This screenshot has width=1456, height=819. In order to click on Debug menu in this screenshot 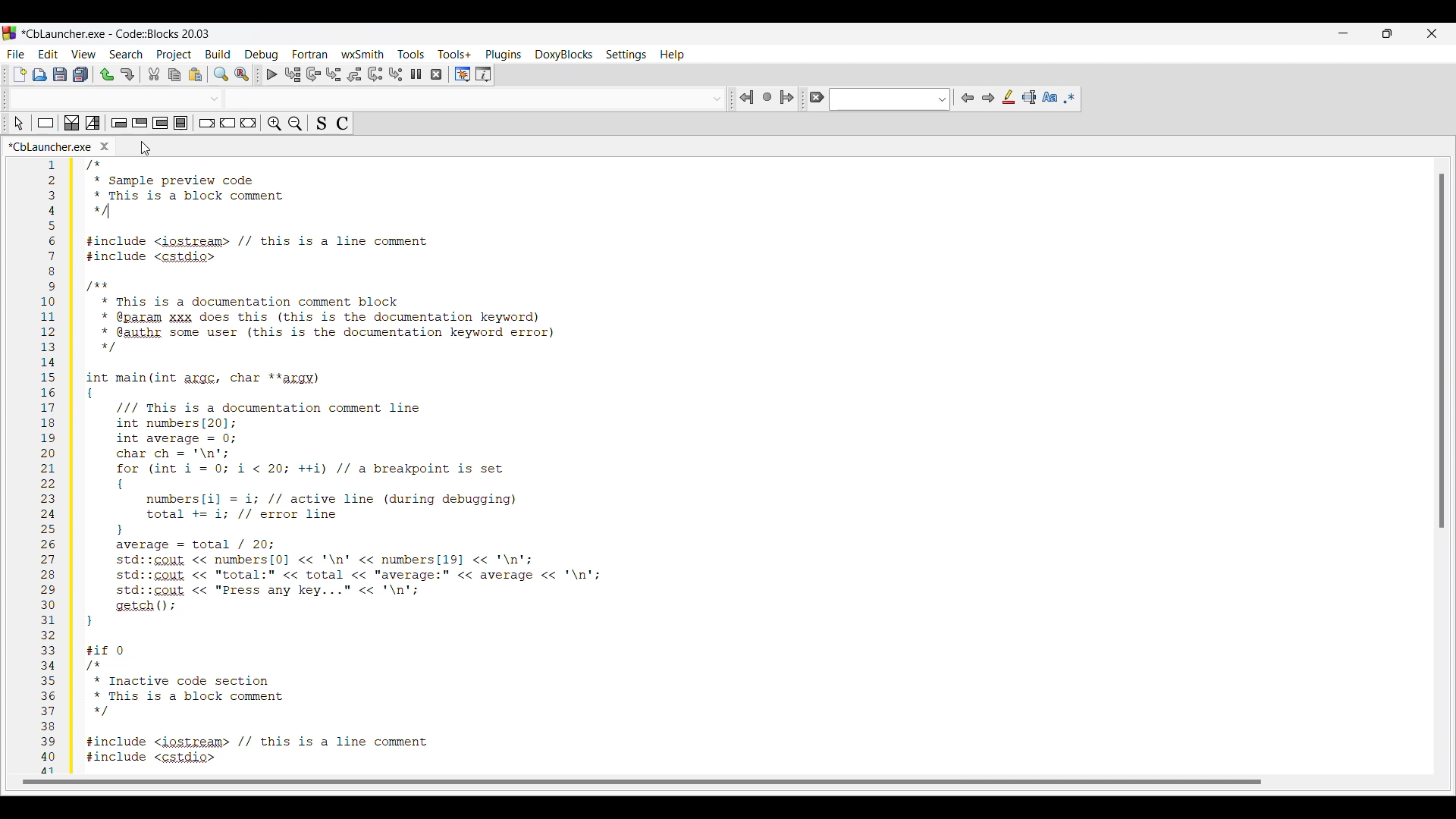, I will do `click(261, 55)`.